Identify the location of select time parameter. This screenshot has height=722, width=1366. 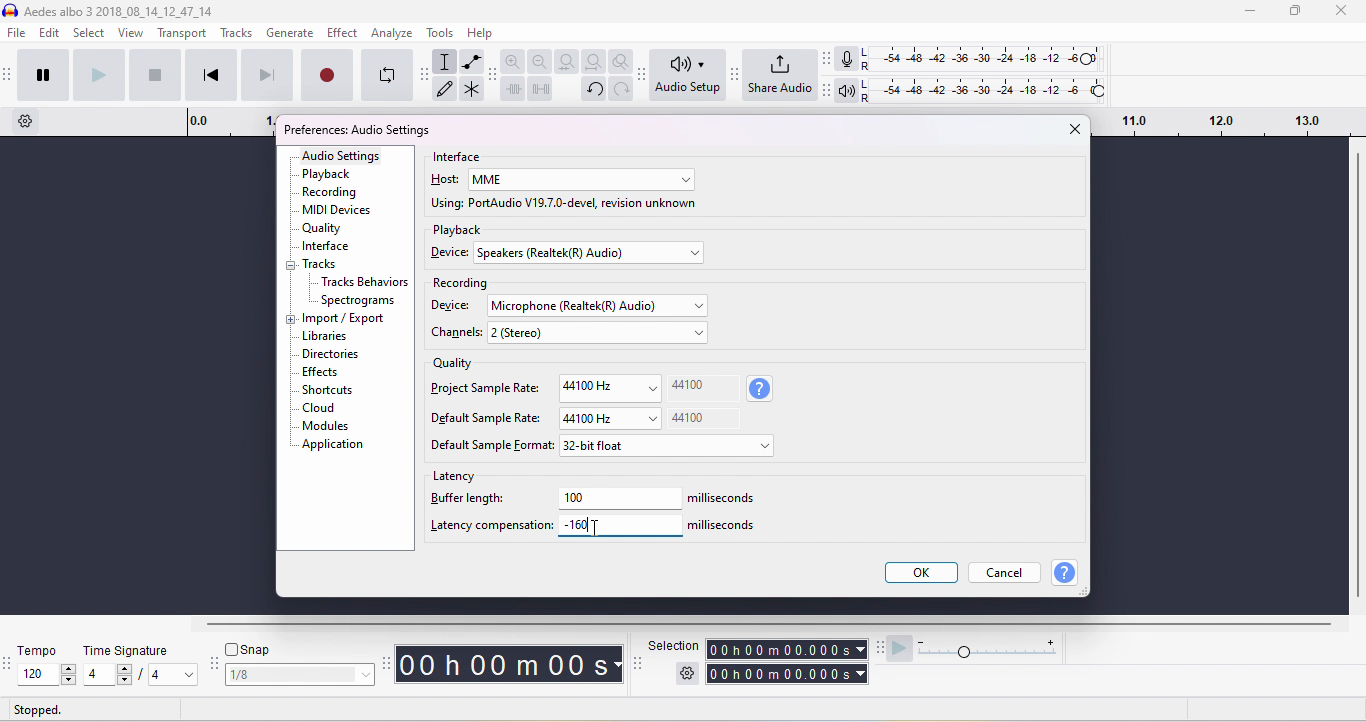
(861, 674).